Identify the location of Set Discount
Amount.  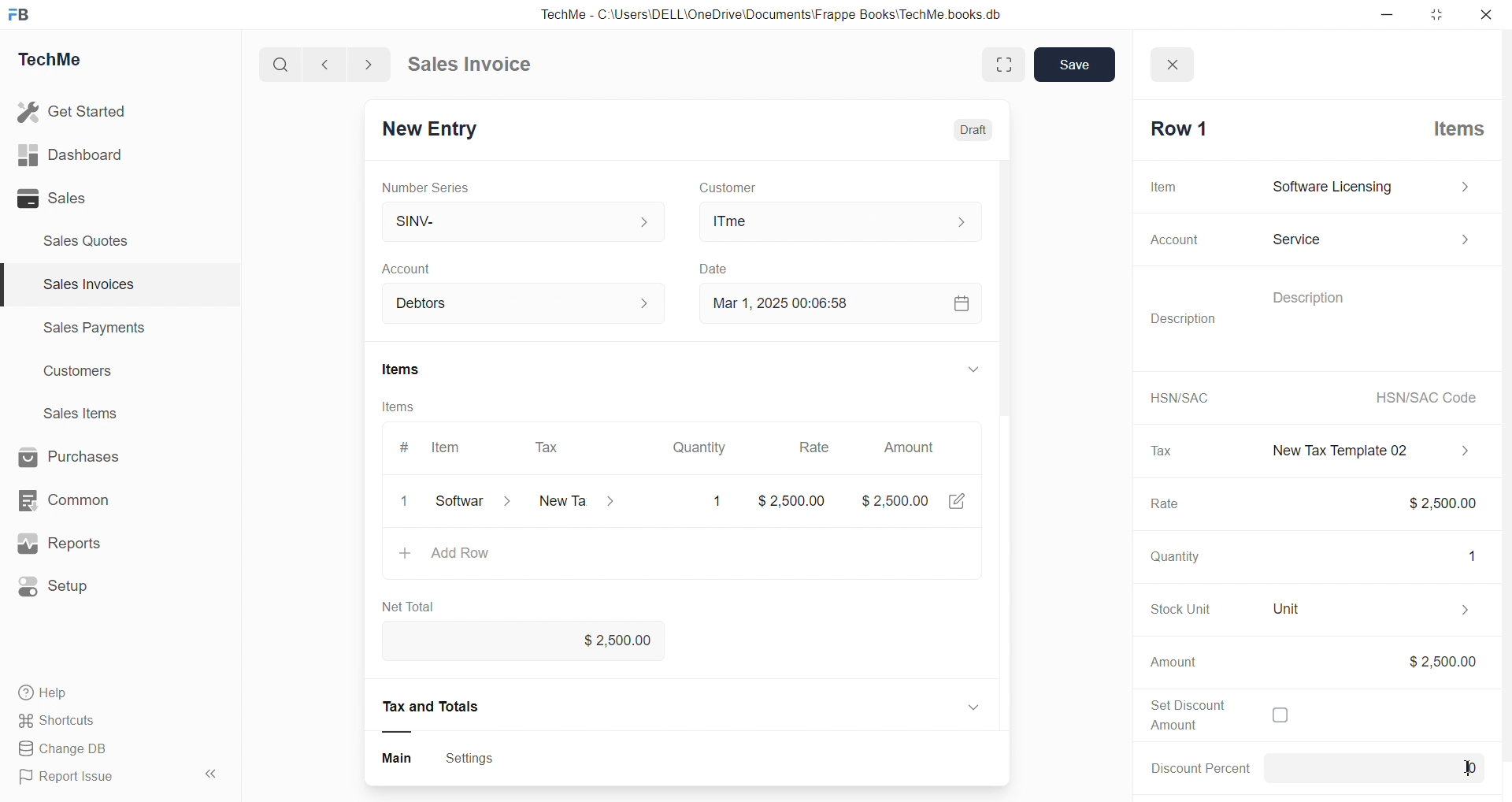
(1180, 714).